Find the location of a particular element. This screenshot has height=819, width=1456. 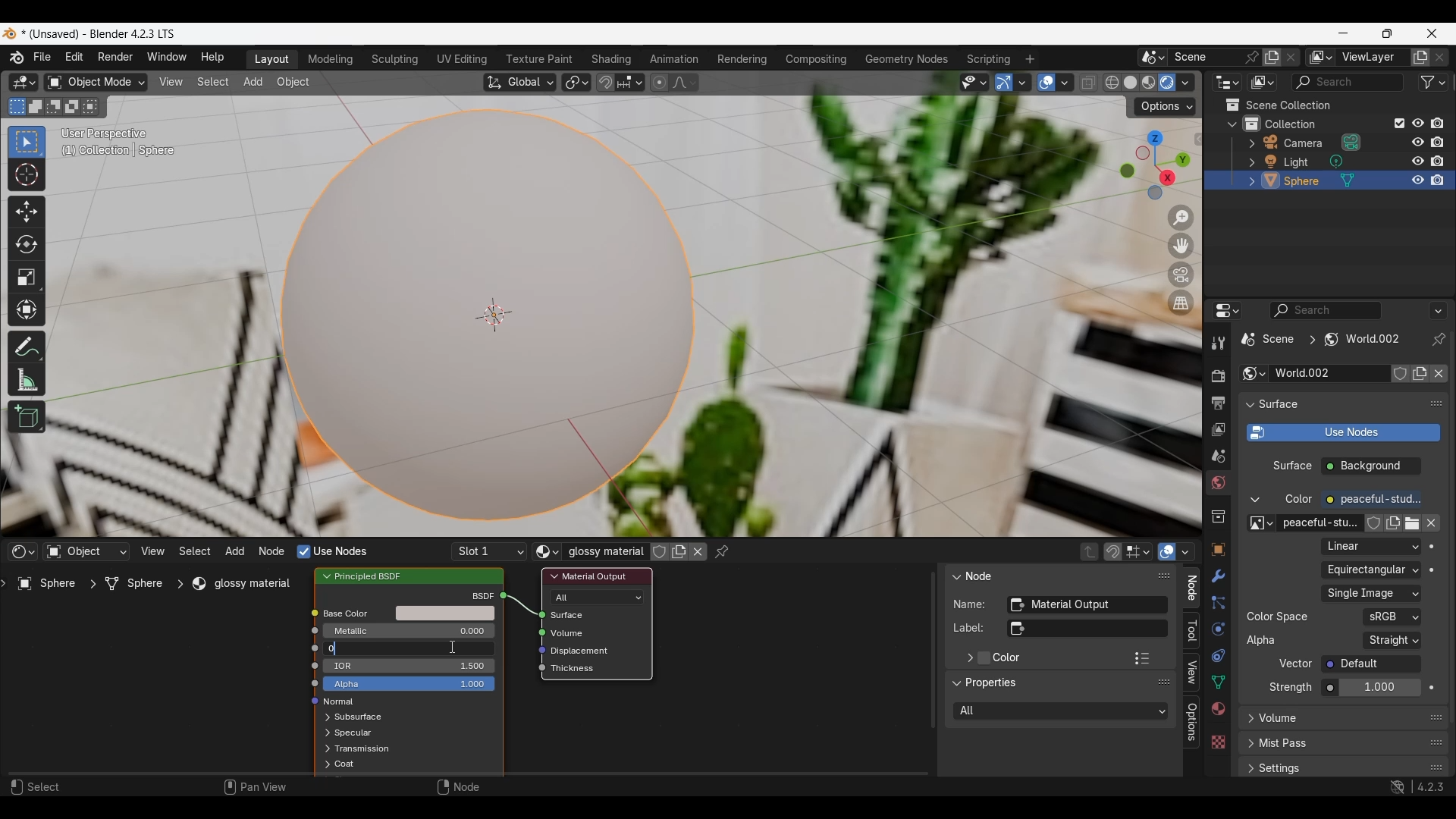

Object data properties is located at coordinates (1217, 682).